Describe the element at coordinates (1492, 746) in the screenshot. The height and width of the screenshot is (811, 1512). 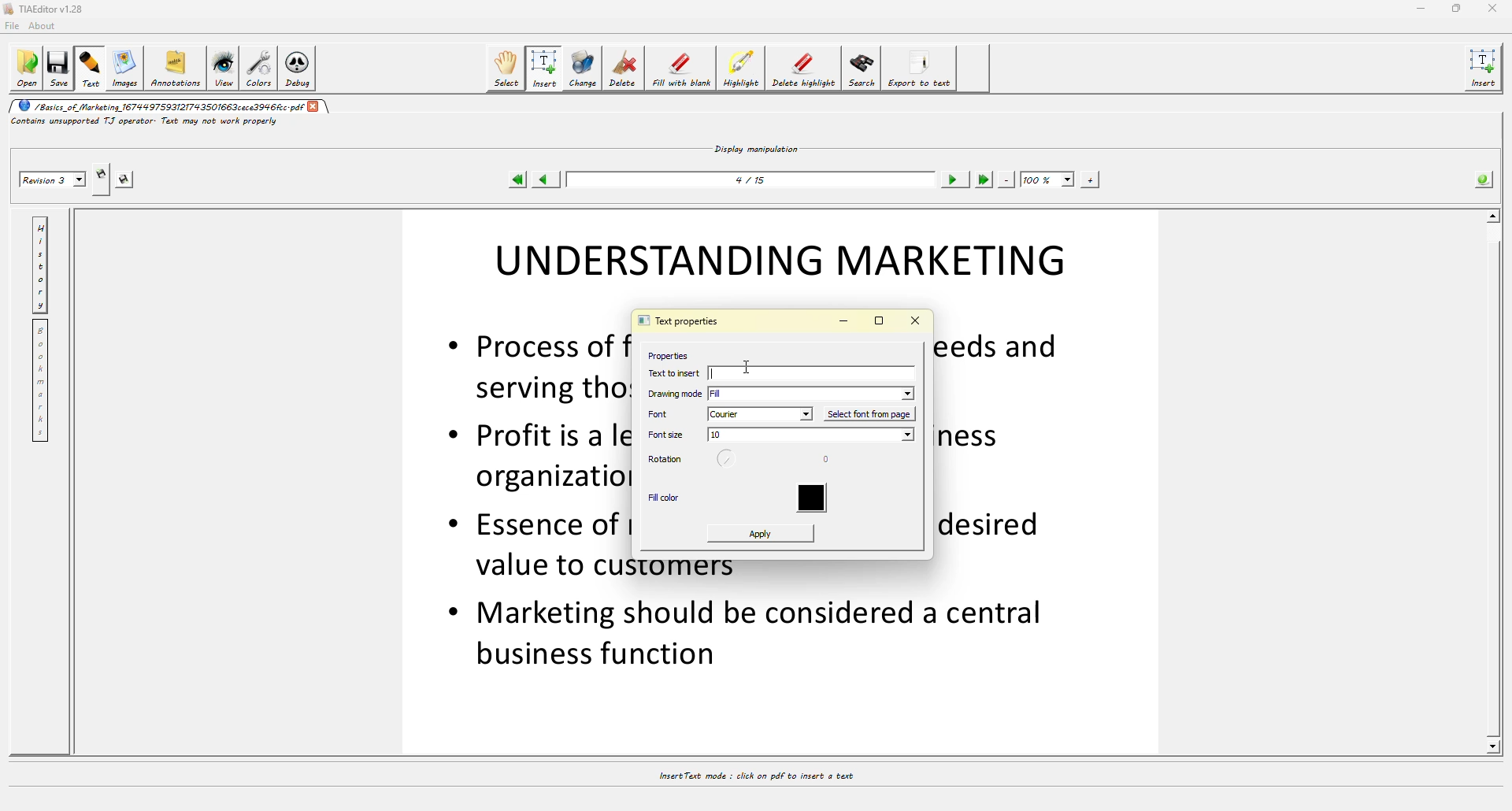
I see `scroll down` at that location.